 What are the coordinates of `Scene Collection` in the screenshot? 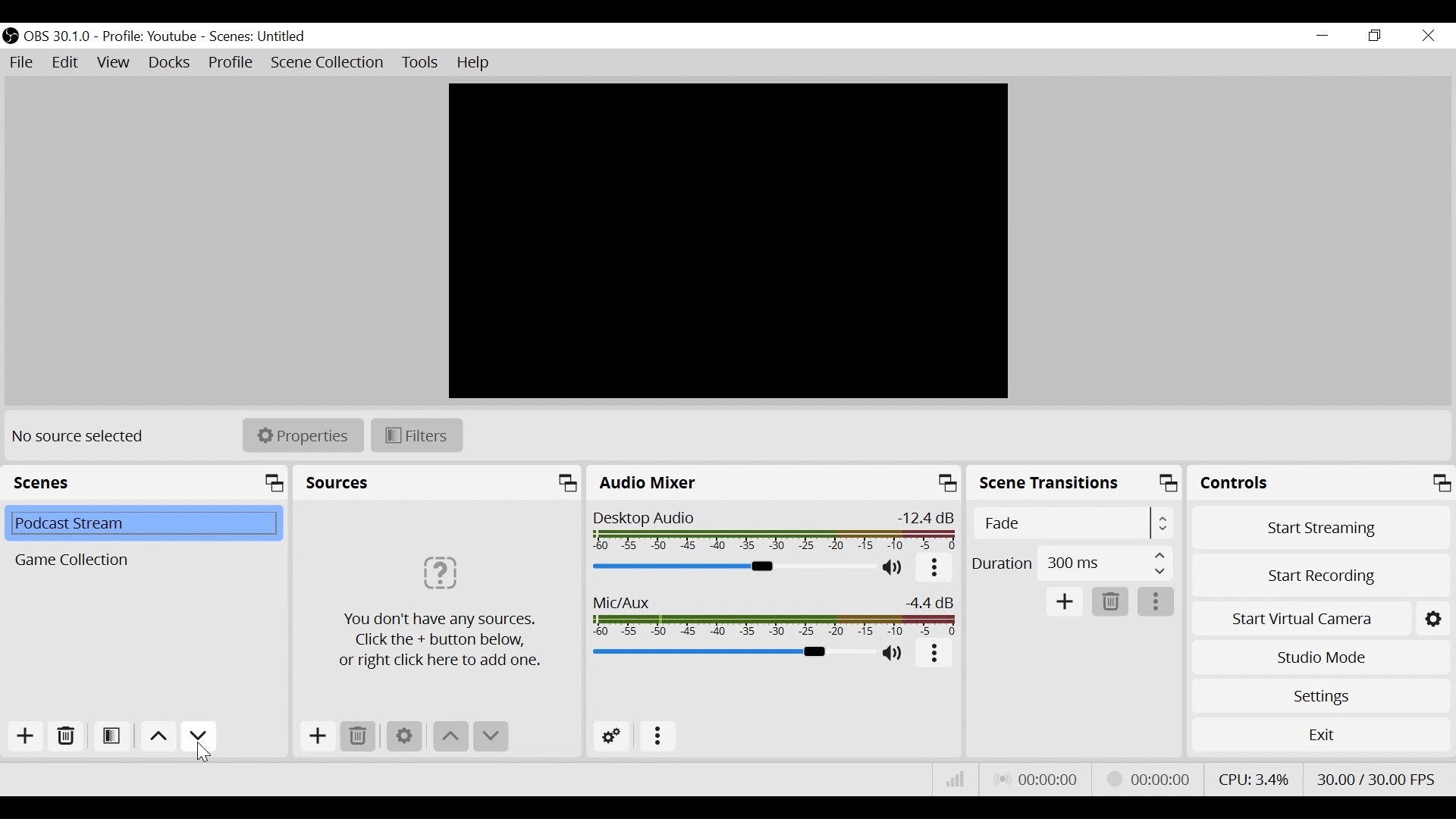 It's located at (329, 63).